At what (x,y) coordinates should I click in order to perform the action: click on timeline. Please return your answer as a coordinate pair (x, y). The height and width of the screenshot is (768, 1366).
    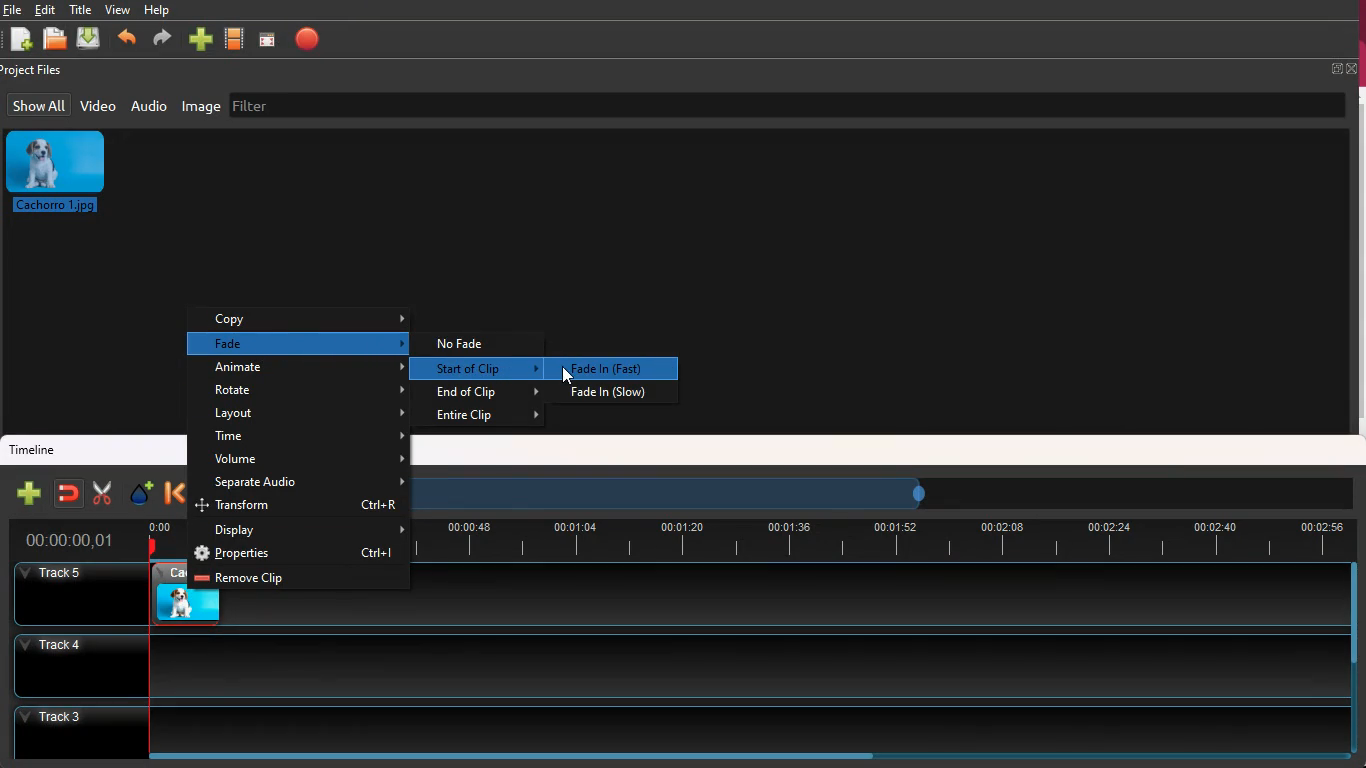
    Looking at the image, I should click on (36, 449).